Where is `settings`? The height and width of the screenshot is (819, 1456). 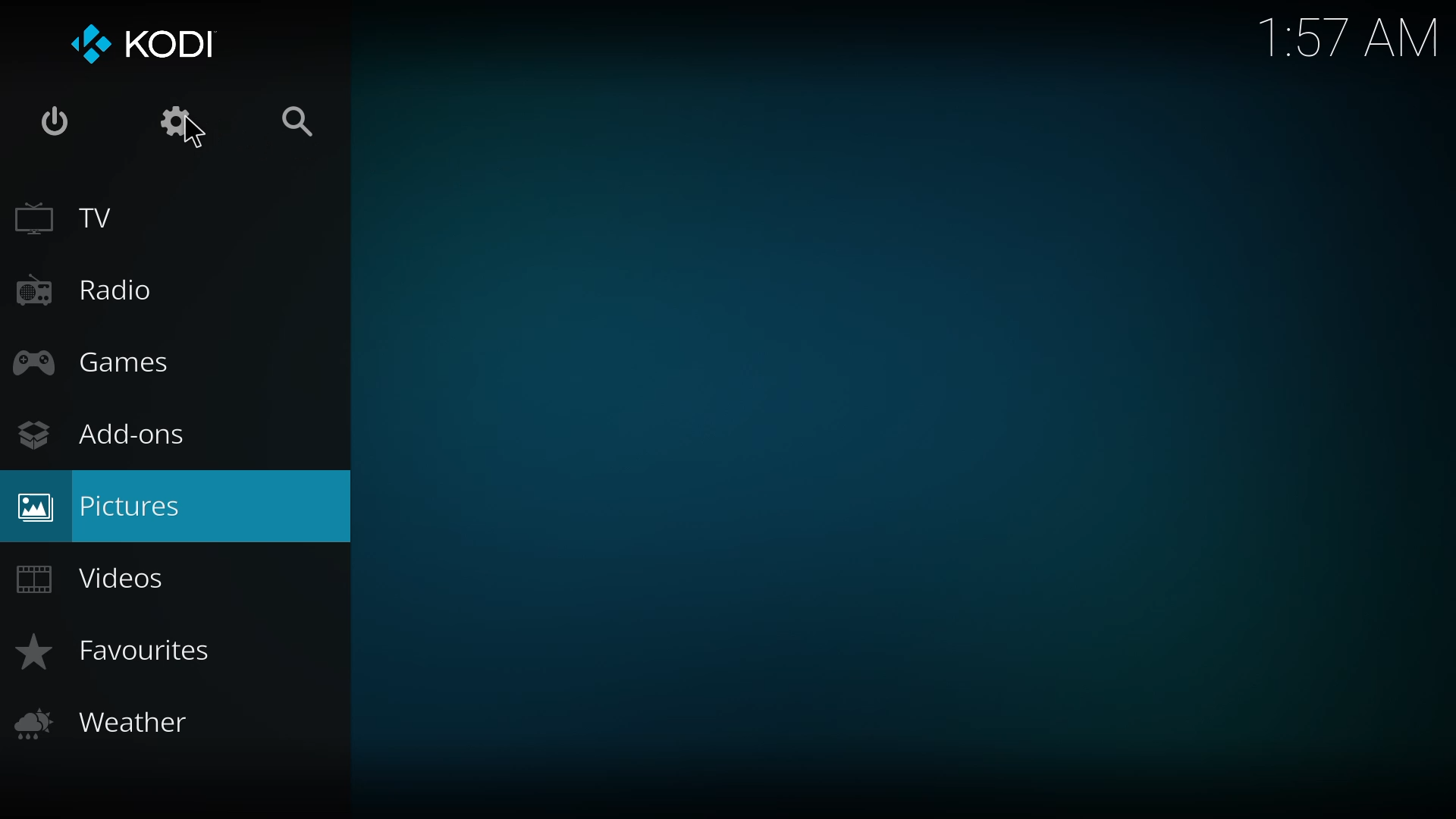 settings is located at coordinates (171, 121).